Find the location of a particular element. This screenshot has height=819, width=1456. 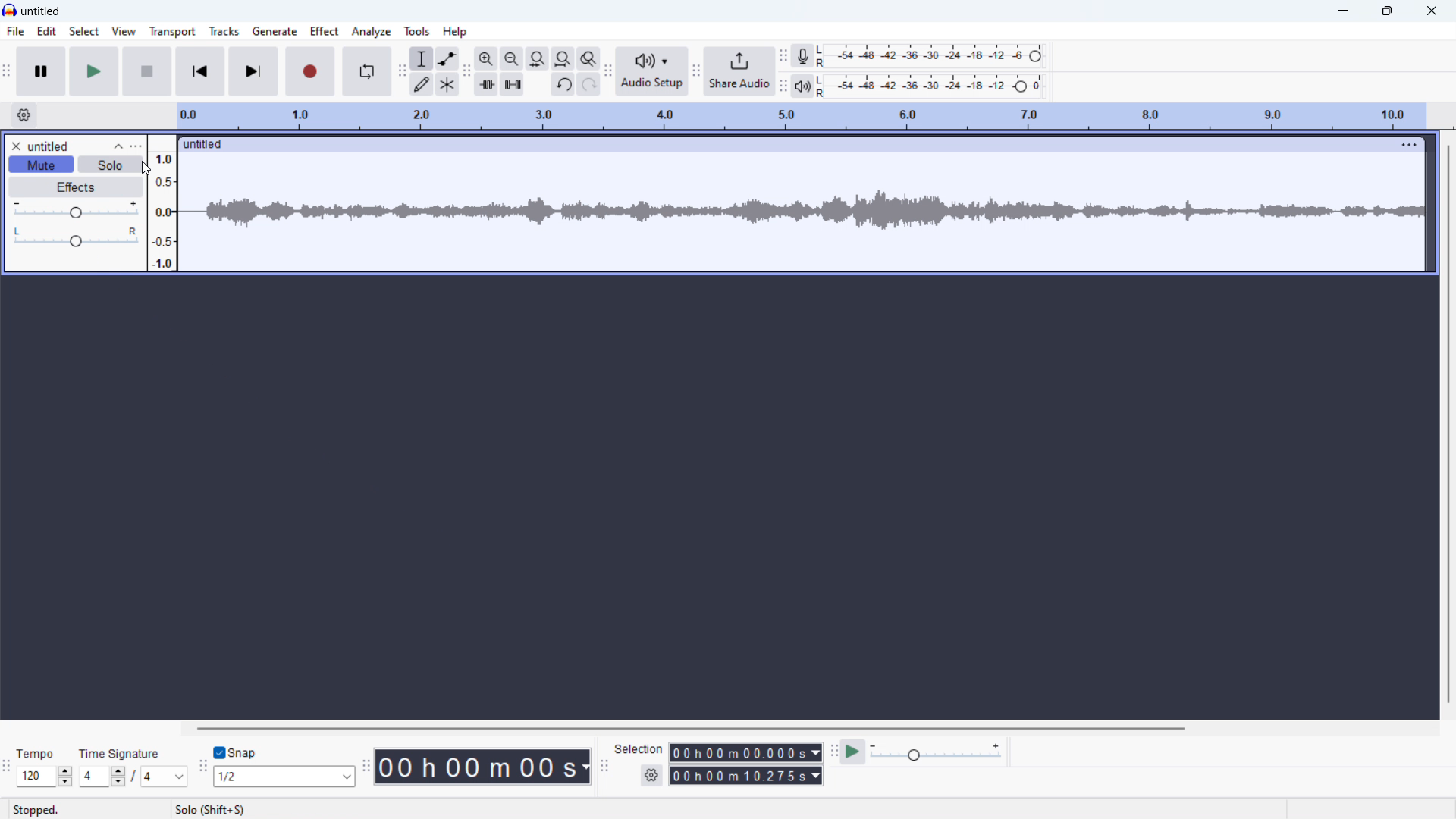

generate is located at coordinates (275, 31).